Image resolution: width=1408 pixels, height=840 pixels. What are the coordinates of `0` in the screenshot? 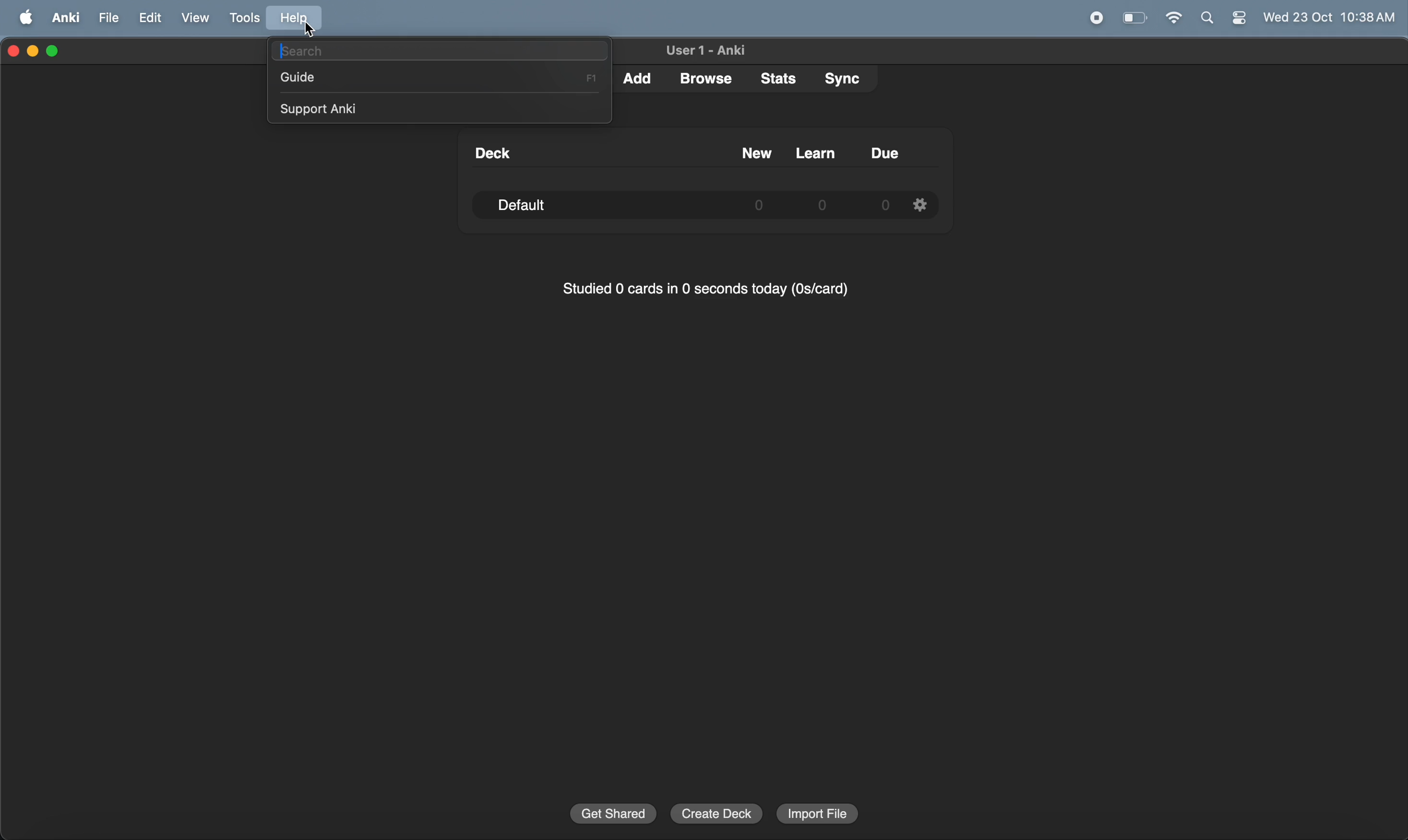 It's located at (759, 206).